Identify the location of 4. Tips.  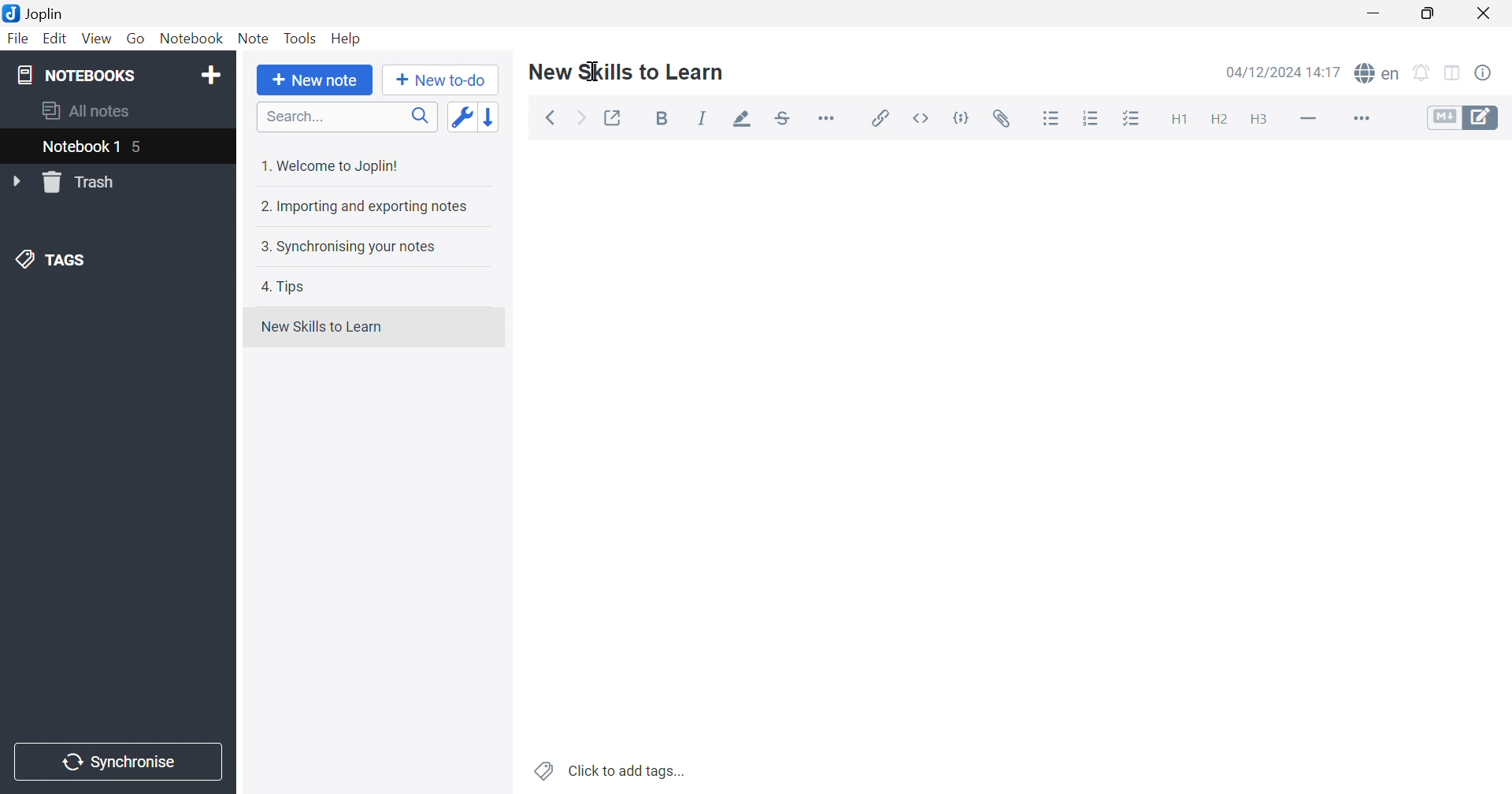
(283, 287).